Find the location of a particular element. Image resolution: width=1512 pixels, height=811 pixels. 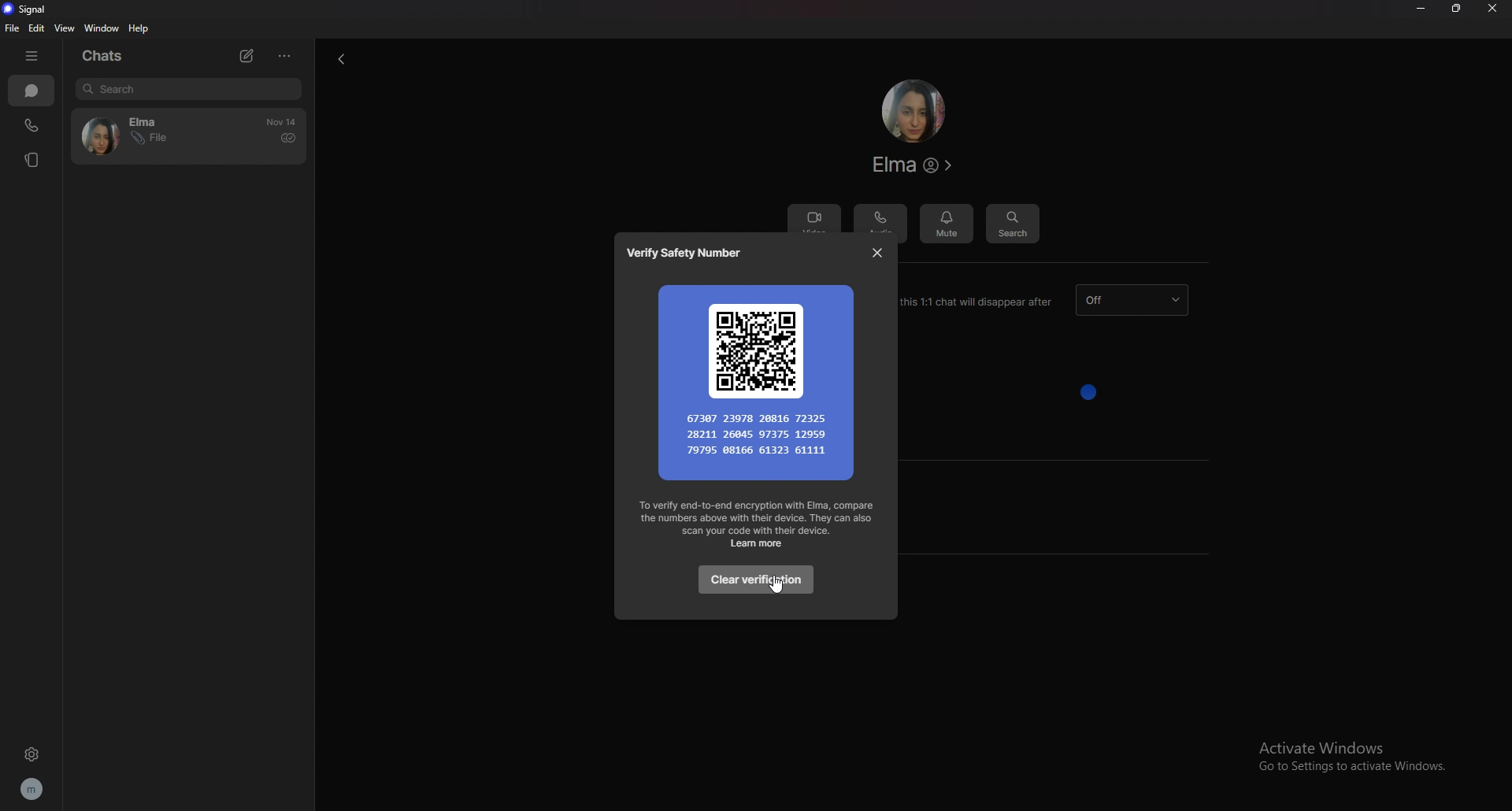

audio is located at coordinates (881, 220).